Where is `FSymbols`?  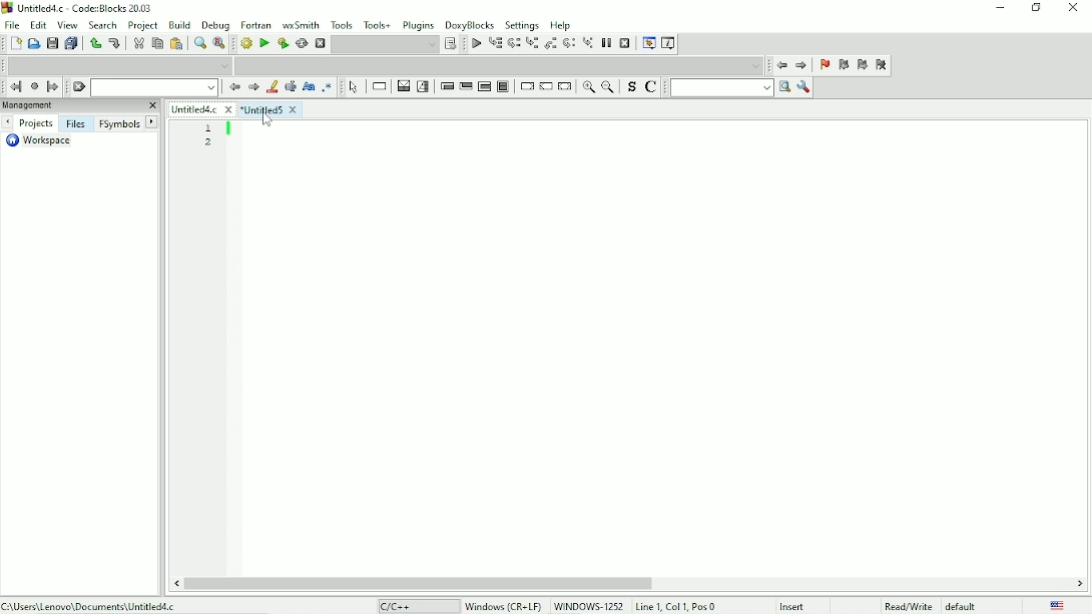 FSymbols is located at coordinates (120, 124).